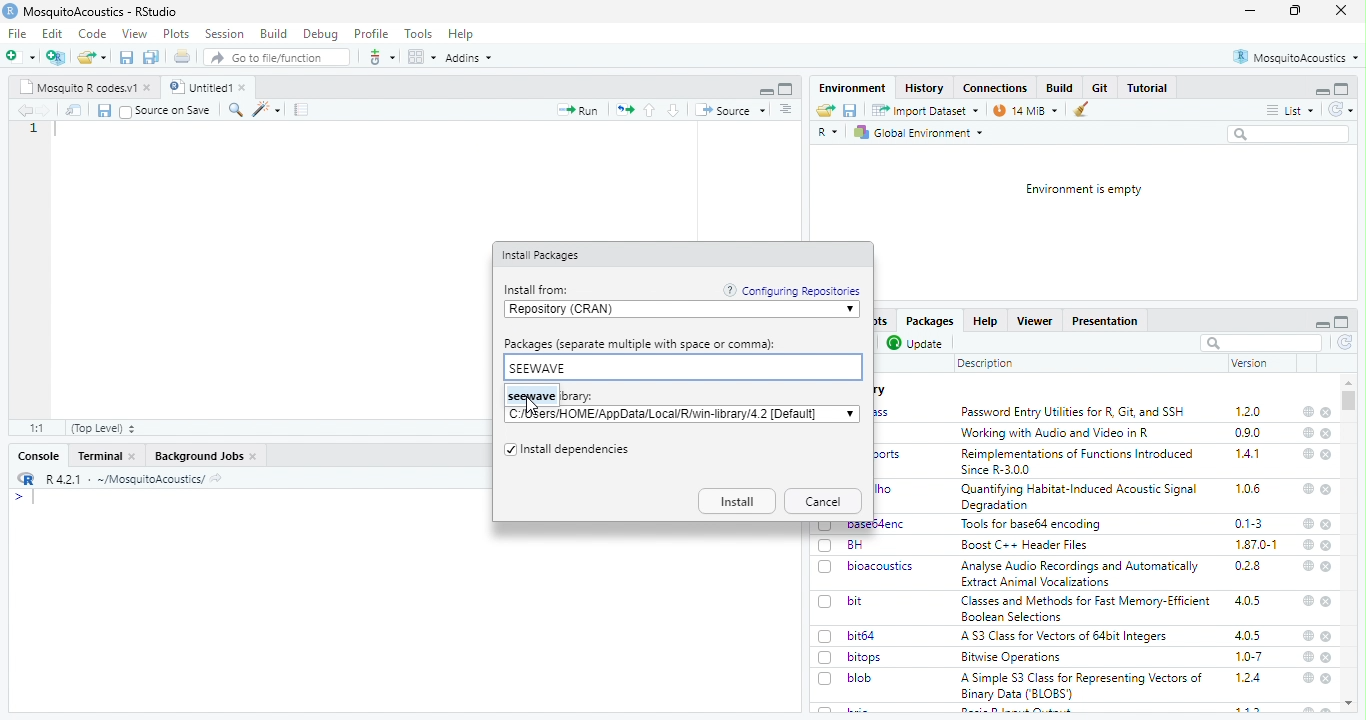 The width and height of the screenshot is (1366, 720). Describe the element at coordinates (373, 34) in the screenshot. I see `Profile` at that location.